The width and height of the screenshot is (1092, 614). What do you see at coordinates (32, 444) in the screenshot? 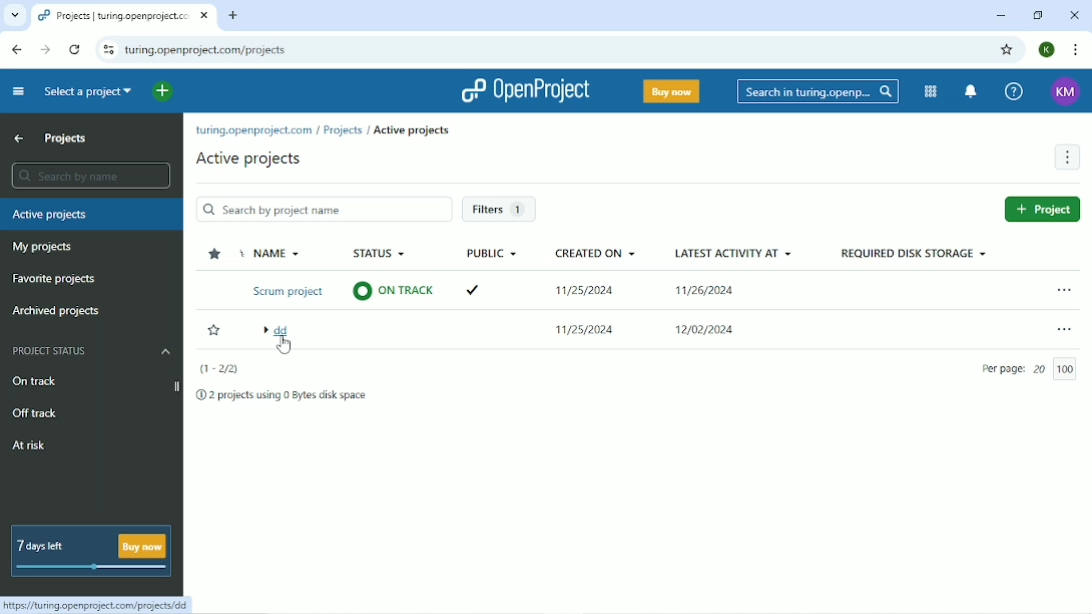
I see `At risk` at bounding box center [32, 444].